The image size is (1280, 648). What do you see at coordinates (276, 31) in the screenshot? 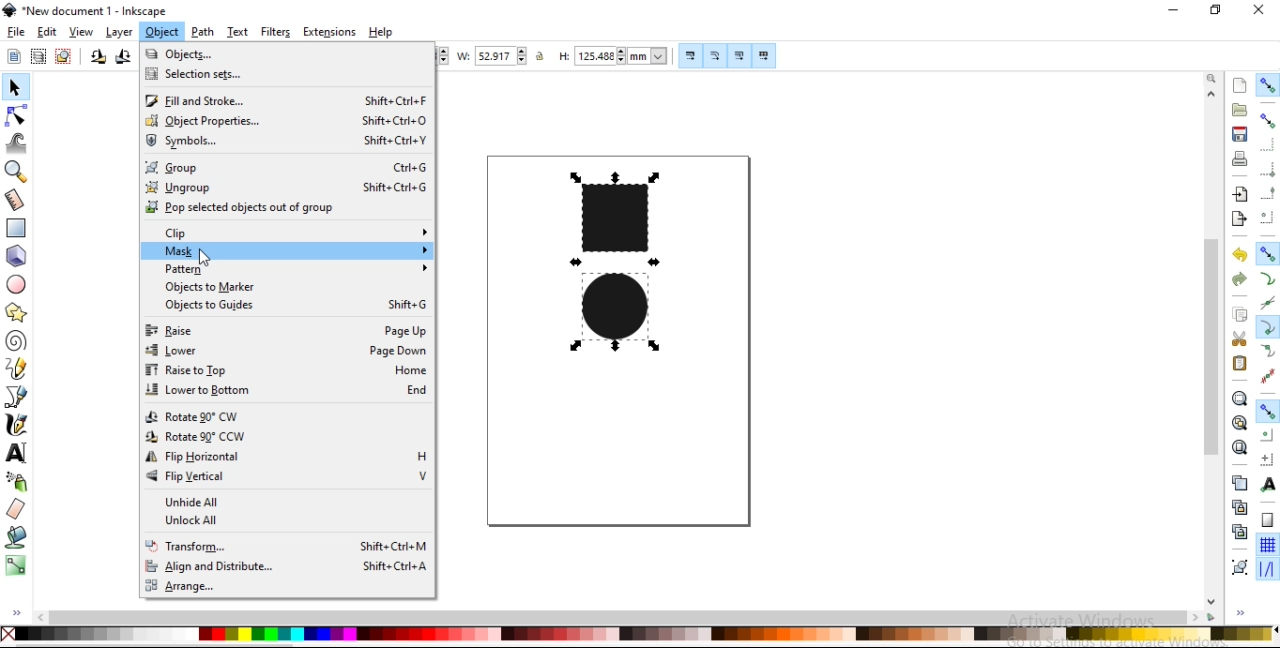
I see `filters` at bounding box center [276, 31].